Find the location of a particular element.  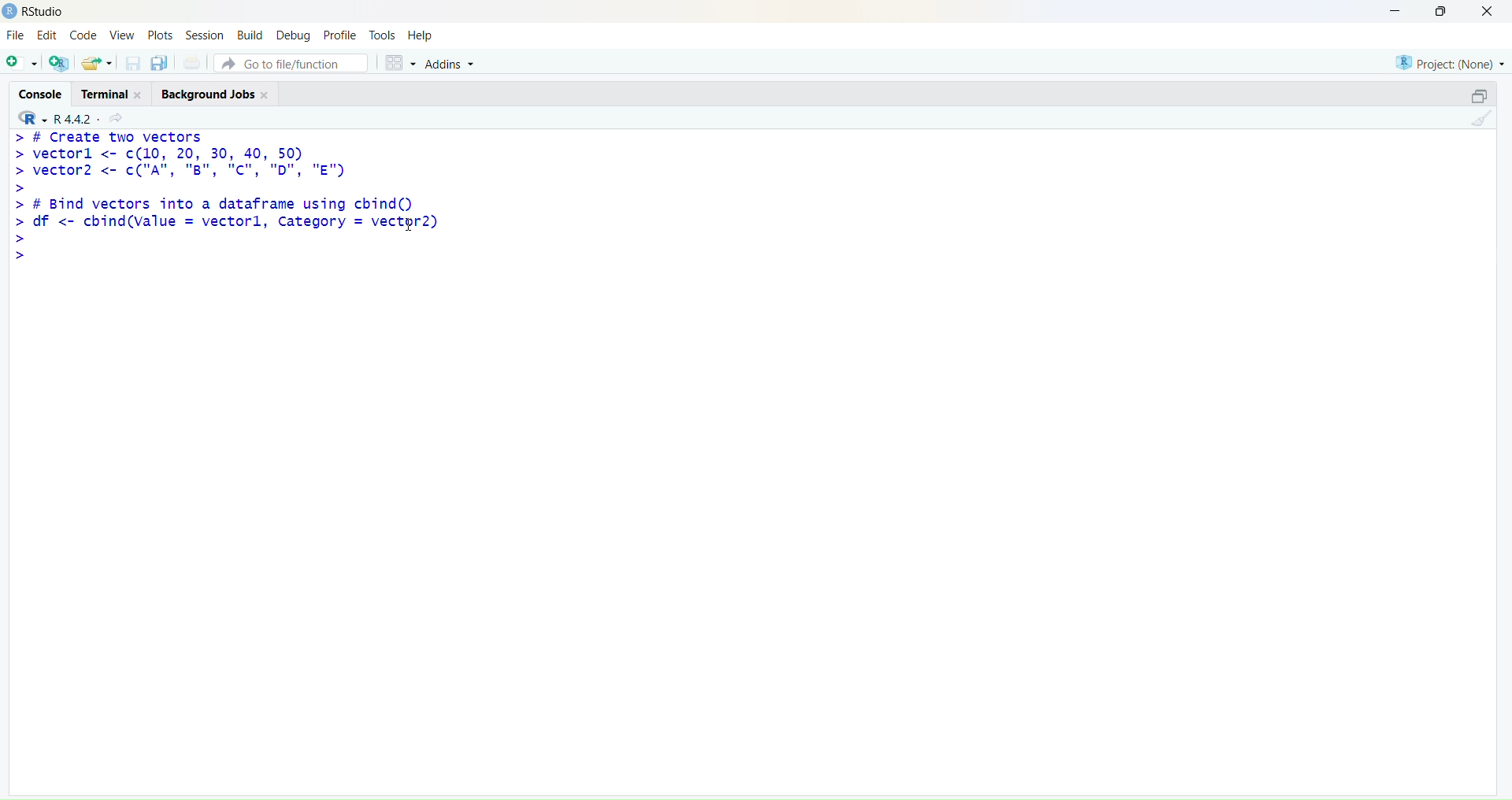

print the current file is located at coordinates (193, 62).